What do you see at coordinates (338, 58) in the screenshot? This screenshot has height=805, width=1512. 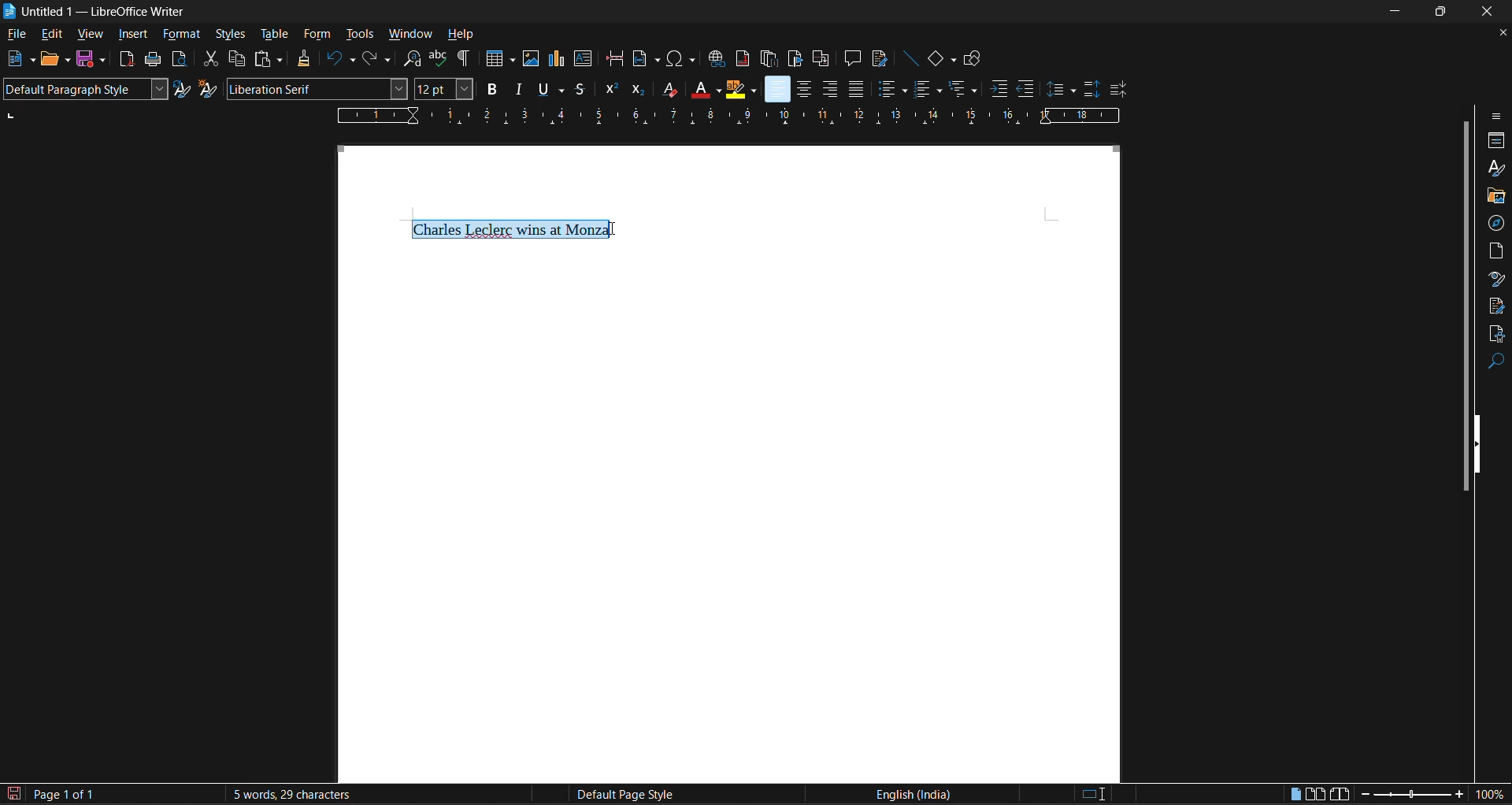 I see `undo` at bounding box center [338, 58].